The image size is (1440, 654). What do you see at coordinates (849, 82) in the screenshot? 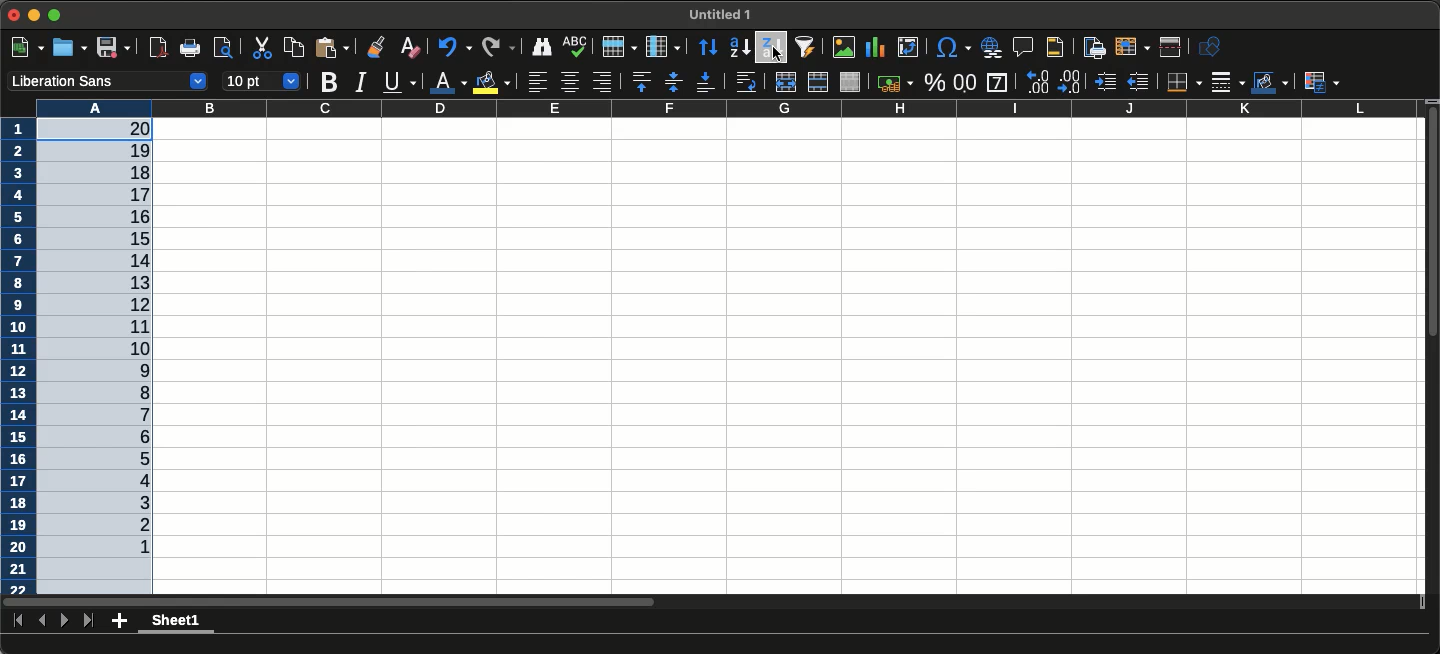
I see `Unmerge cells` at bounding box center [849, 82].